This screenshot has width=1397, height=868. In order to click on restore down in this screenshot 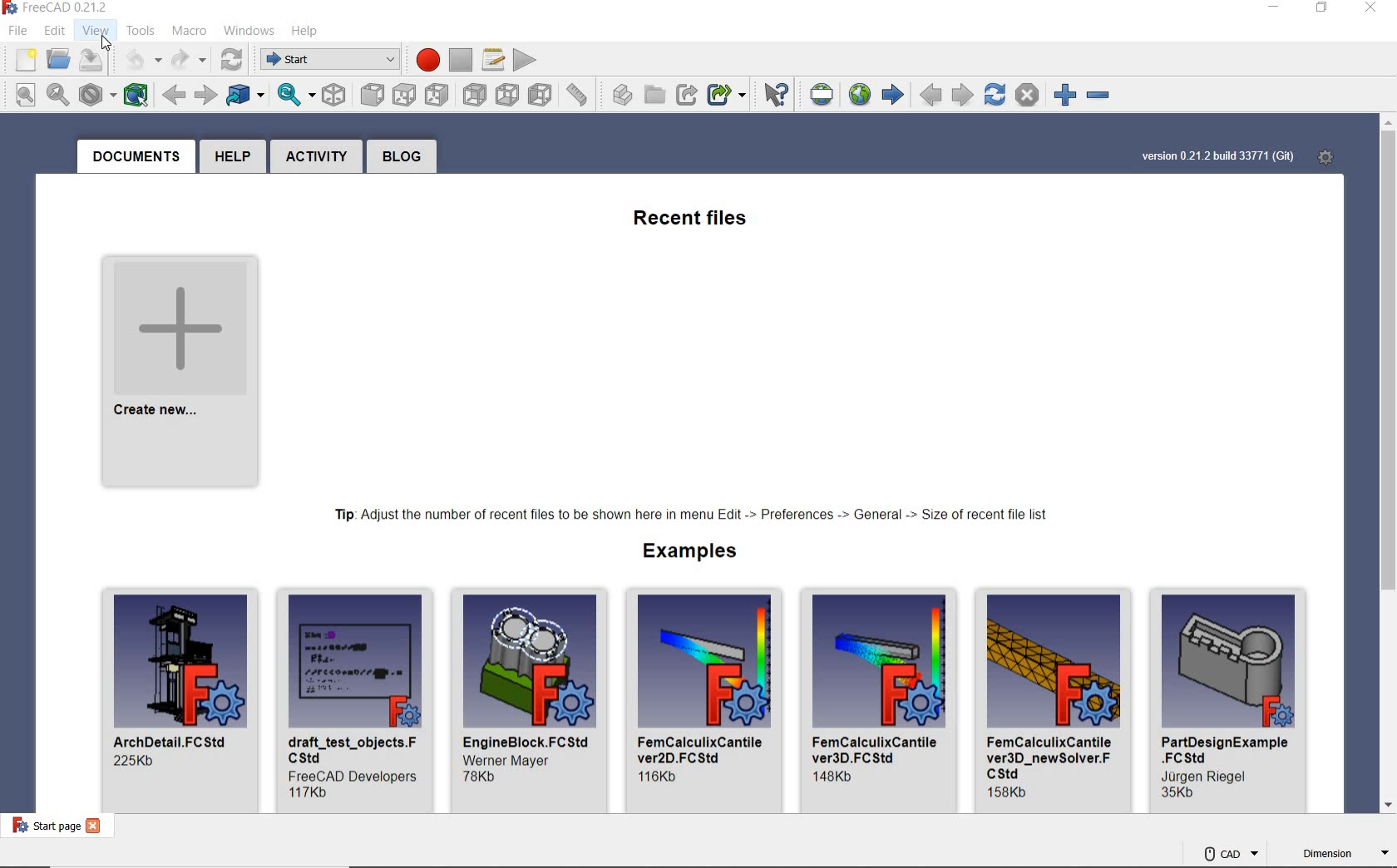, I will do `click(1323, 8)`.